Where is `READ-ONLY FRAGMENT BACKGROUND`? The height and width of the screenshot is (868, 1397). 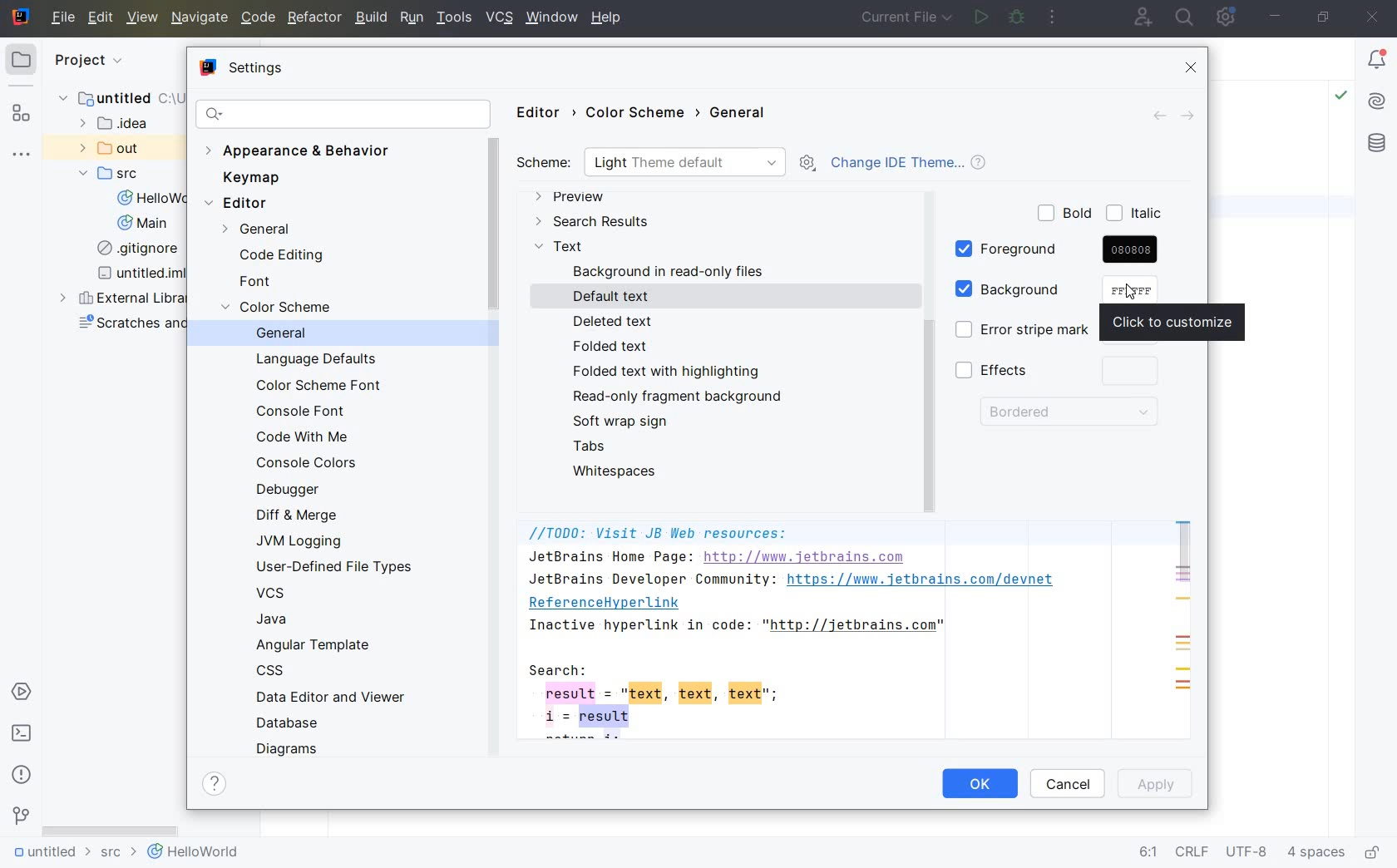
READ-ONLY FRAGMENT BACKGROUND is located at coordinates (674, 397).